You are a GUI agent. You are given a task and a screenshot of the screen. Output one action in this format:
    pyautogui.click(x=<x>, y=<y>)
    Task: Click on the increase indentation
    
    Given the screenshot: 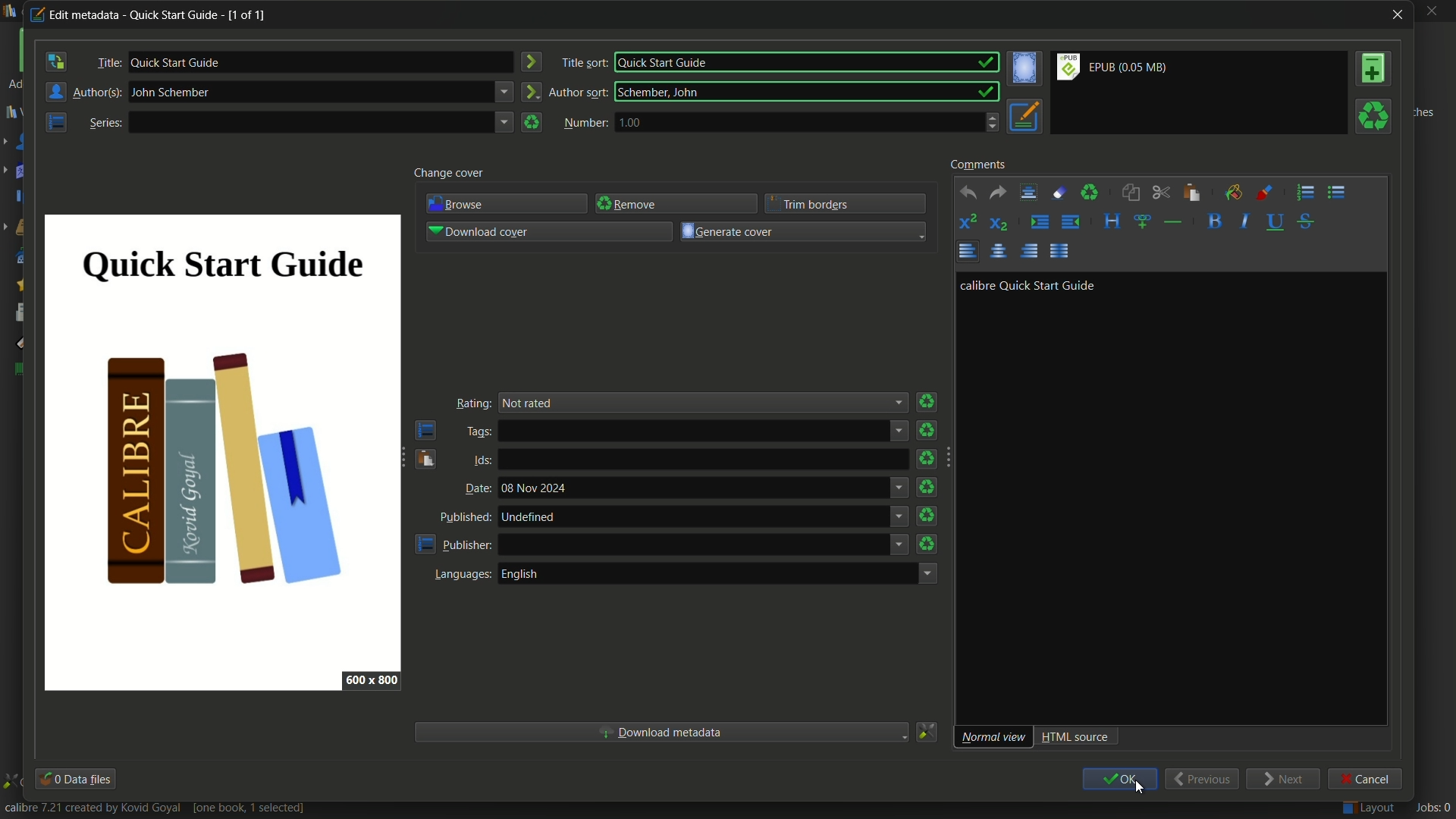 What is the action you would take?
    pyautogui.click(x=1038, y=224)
    